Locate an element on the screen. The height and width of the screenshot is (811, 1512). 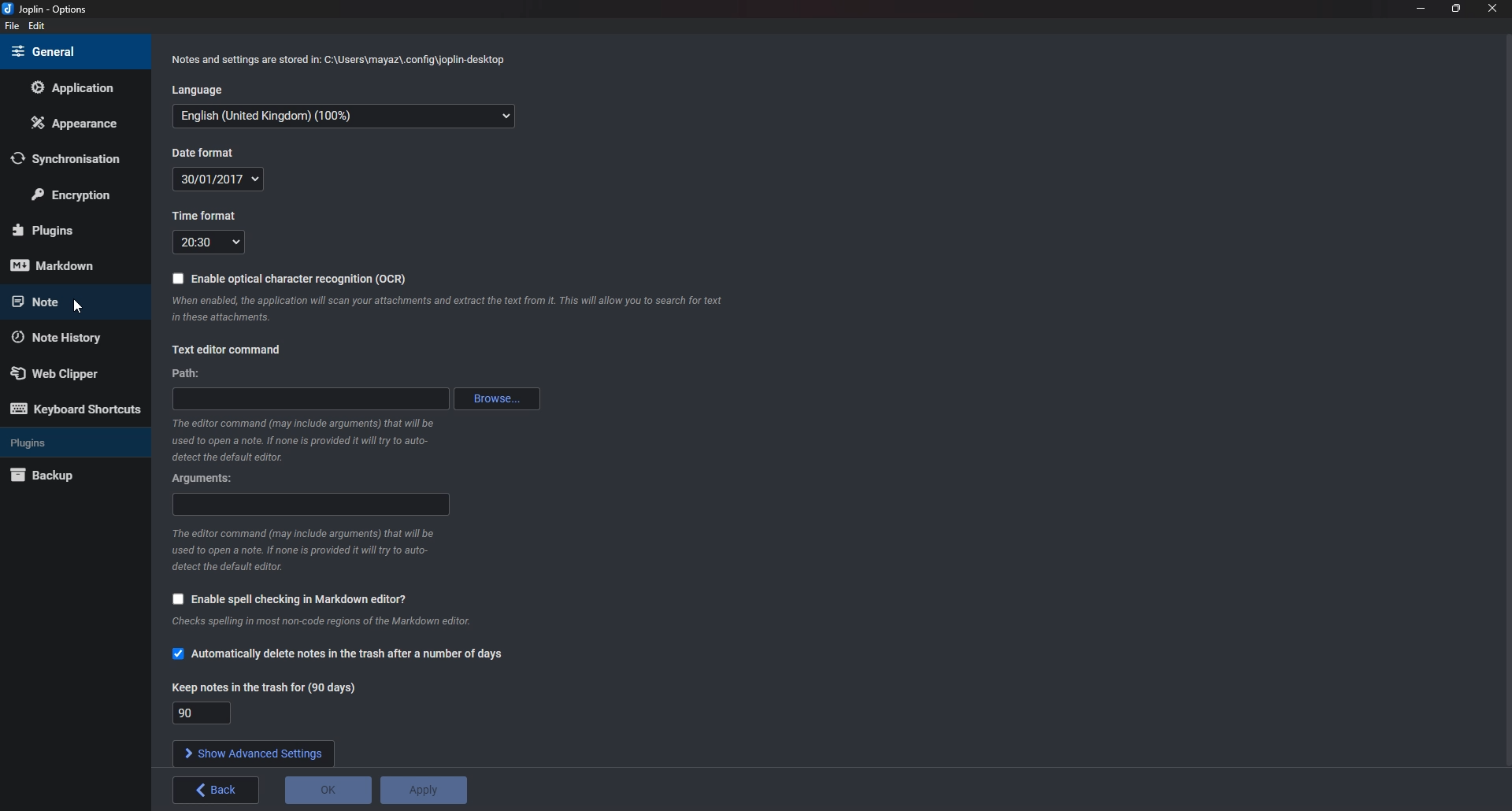
Application is located at coordinates (78, 90).